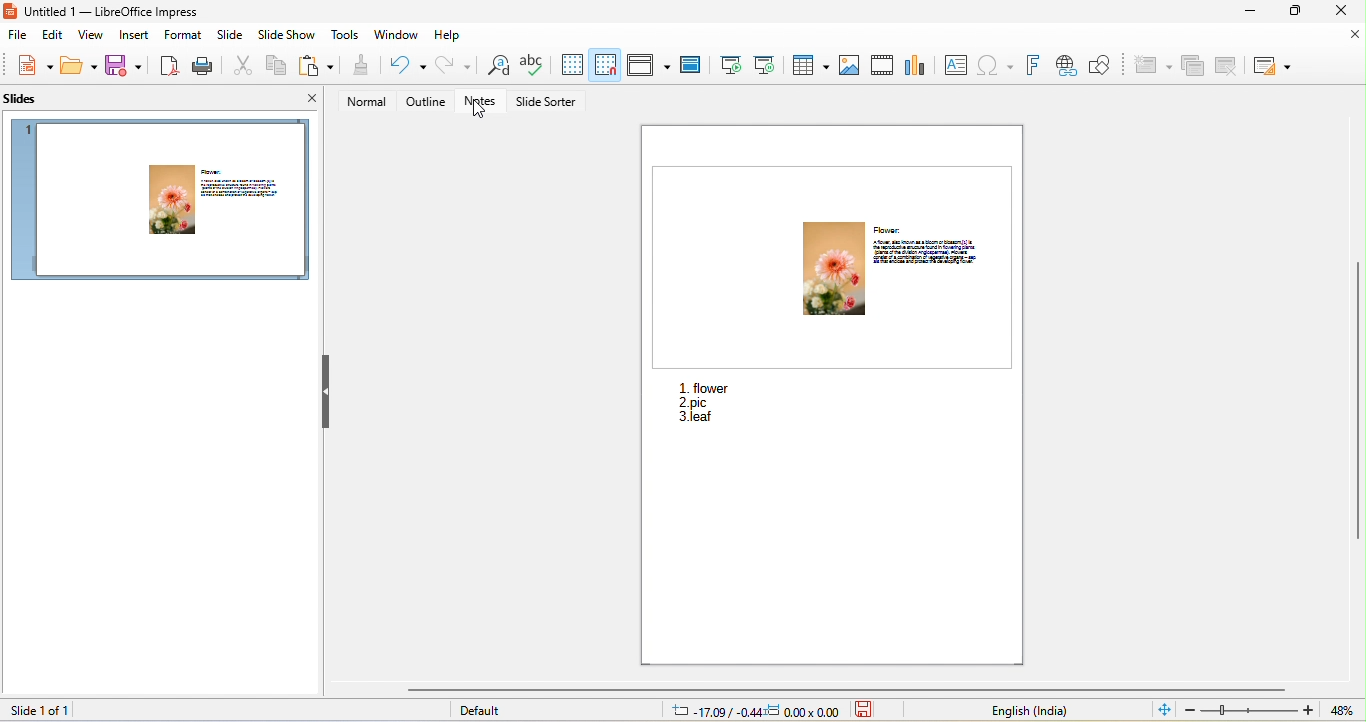  I want to click on insert, so click(134, 35).